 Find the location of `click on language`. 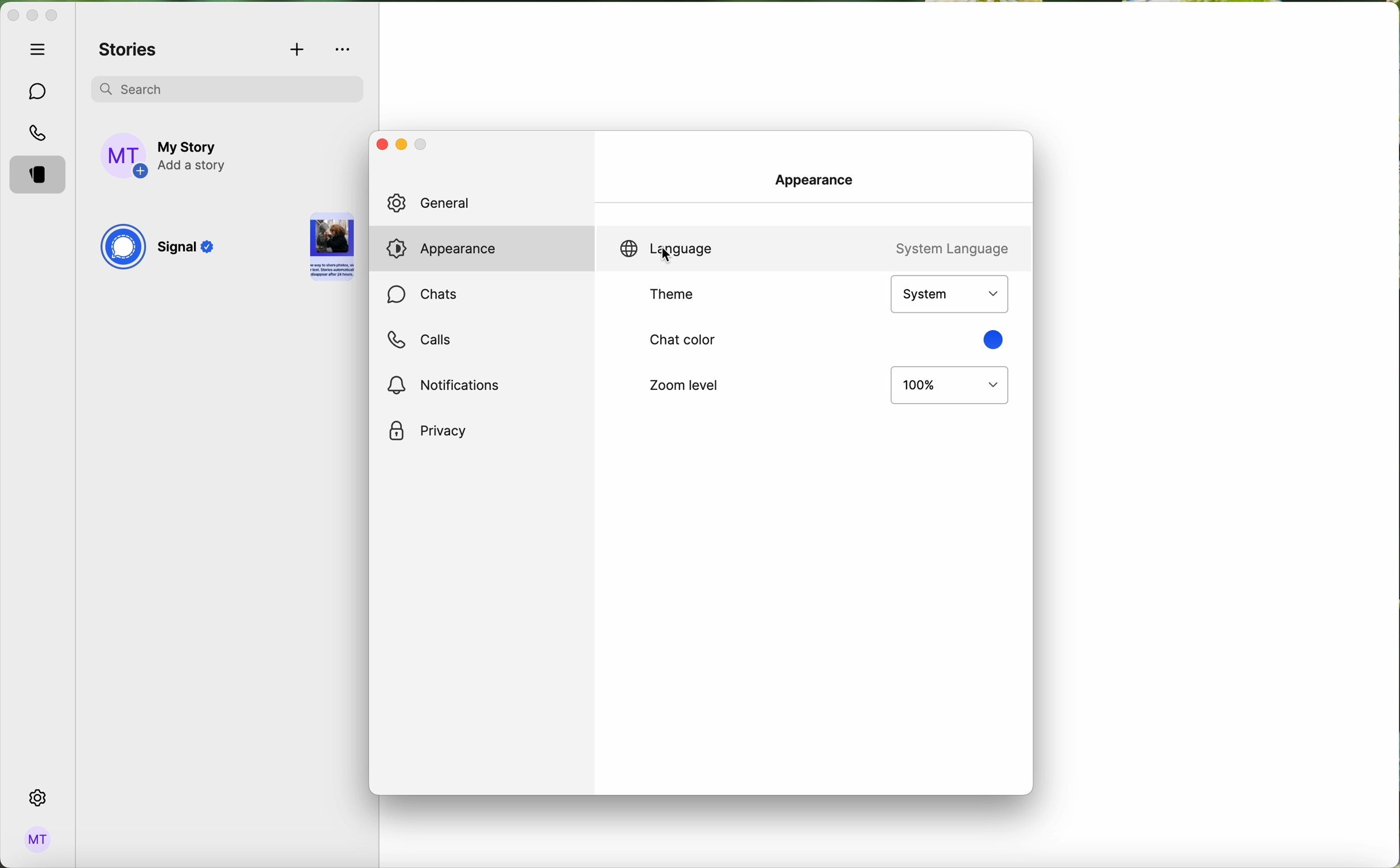

click on language is located at coordinates (663, 249).